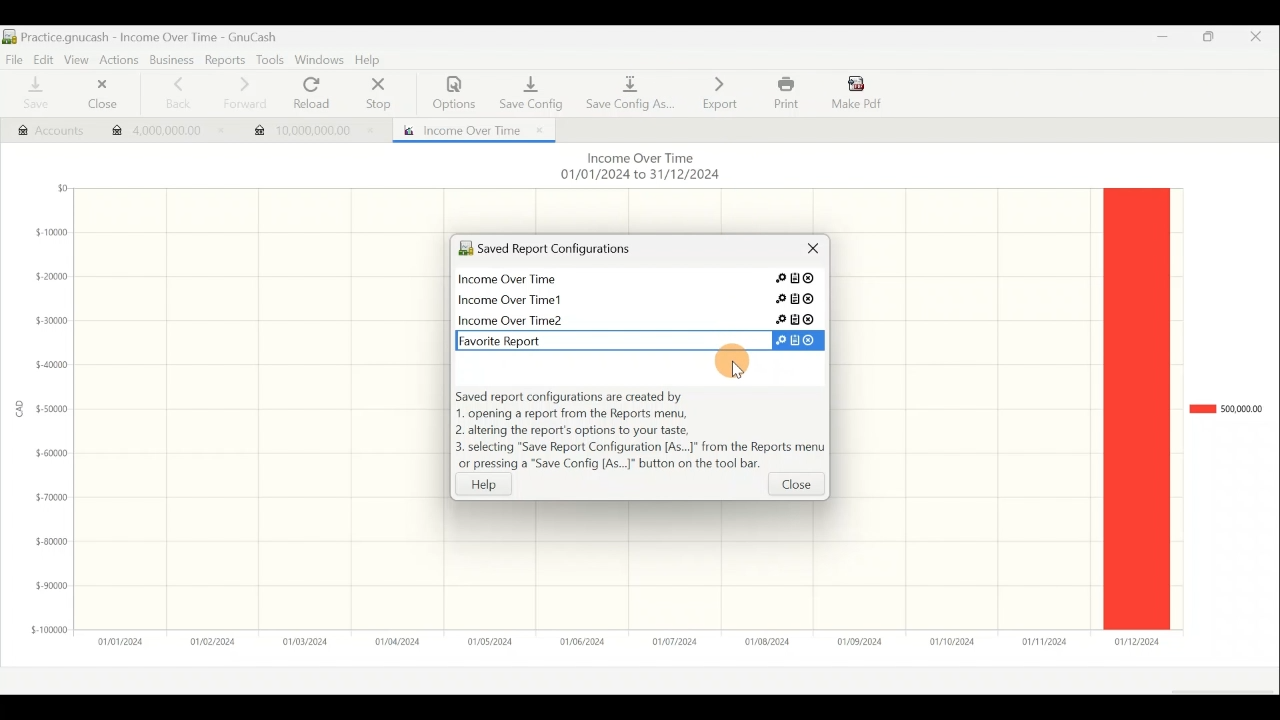 The image size is (1280, 720). Describe the element at coordinates (269, 60) in the screenshot. I see `Tools` at that location.